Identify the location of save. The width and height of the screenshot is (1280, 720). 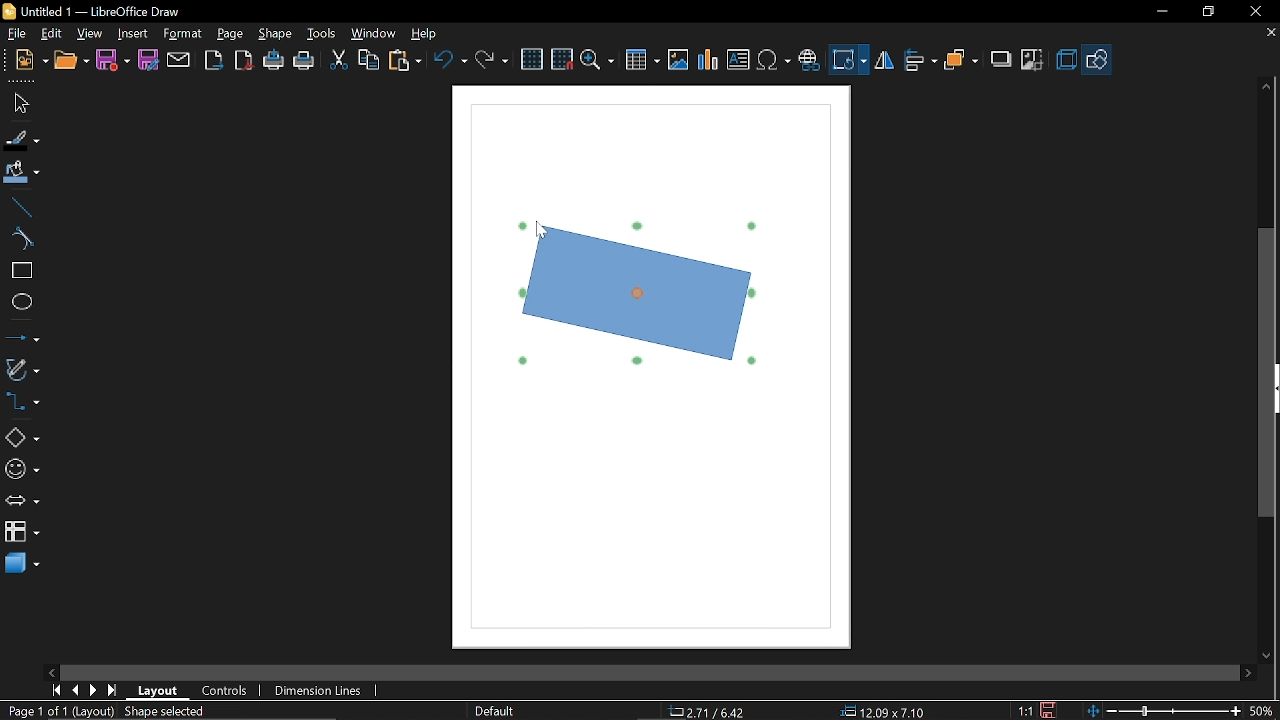
(1051, 709).